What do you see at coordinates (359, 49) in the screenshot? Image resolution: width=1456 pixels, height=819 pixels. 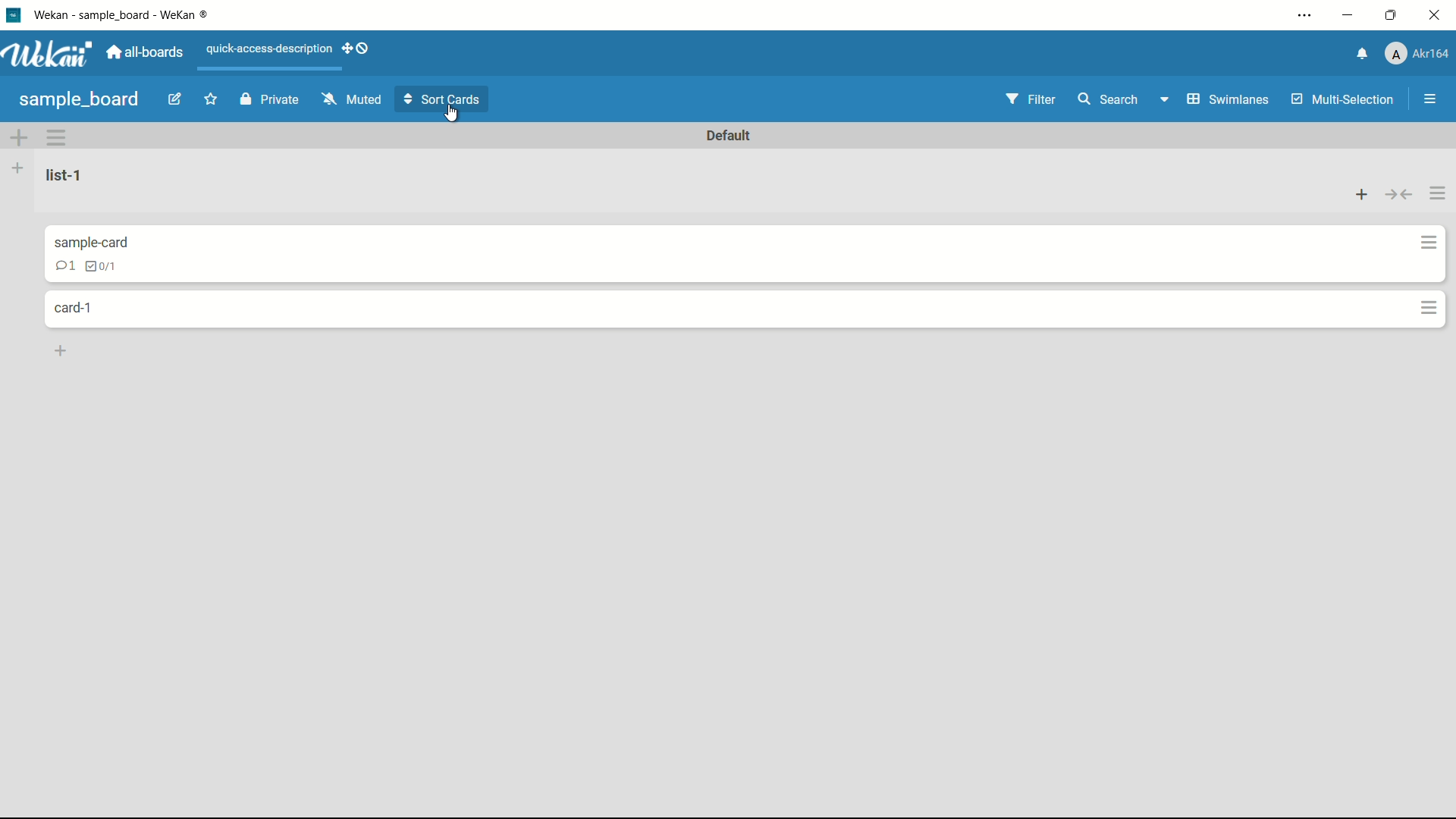 I see `show-desktop-drag-handles` at bounding box center [359, 49].